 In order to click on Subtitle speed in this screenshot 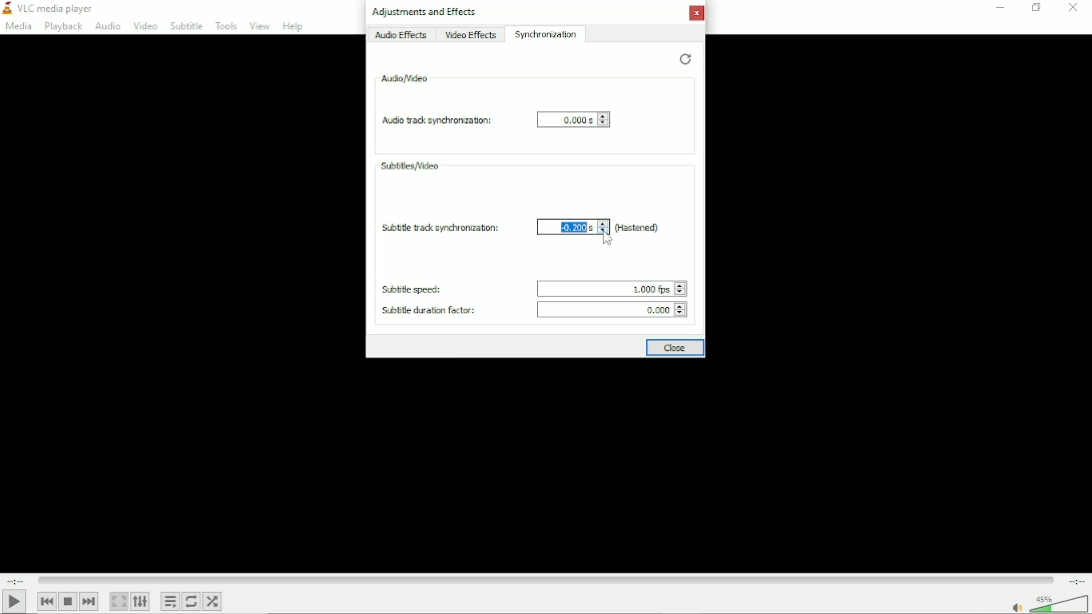, I will do `click(408, 289)`.